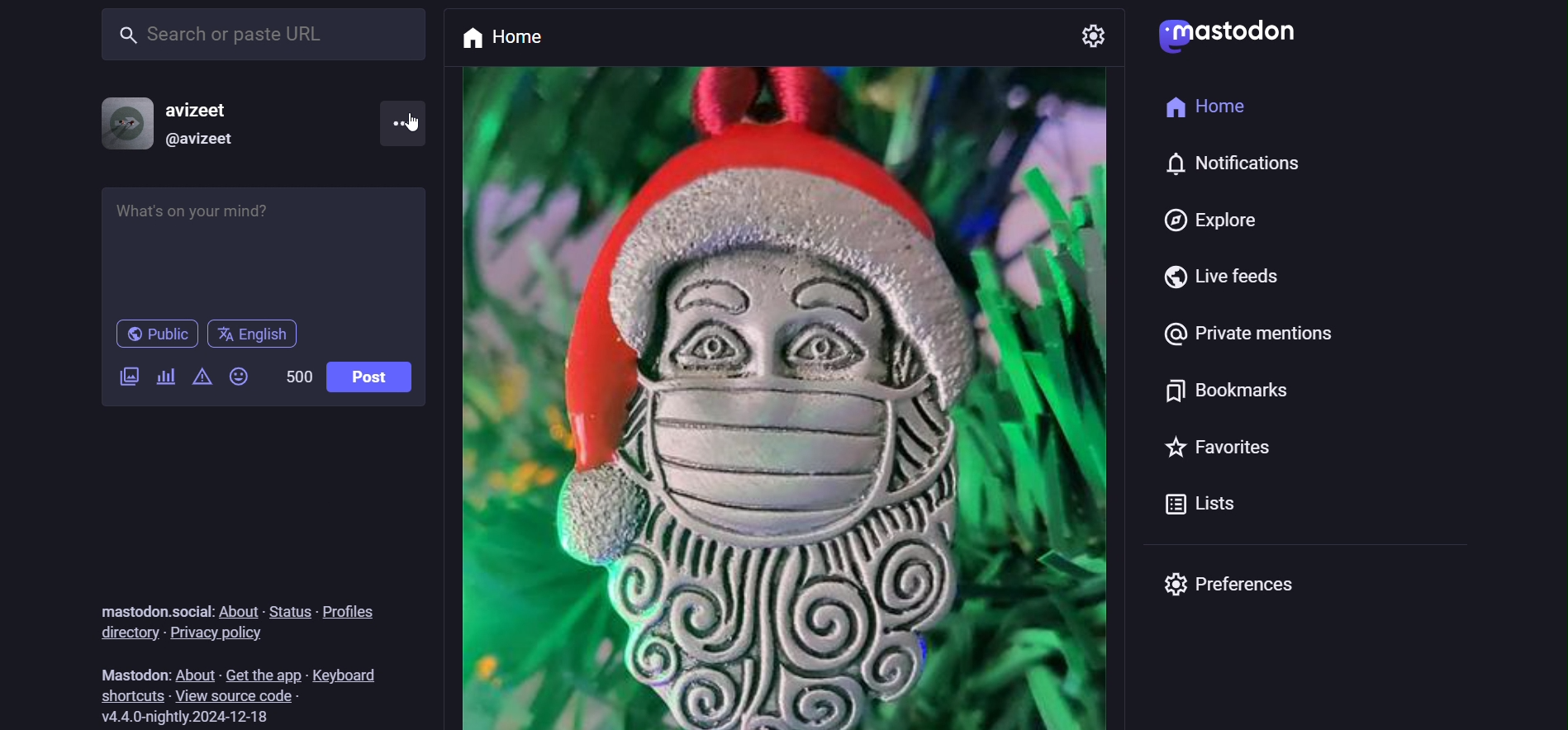  I want to click on about, so click(237, 609).